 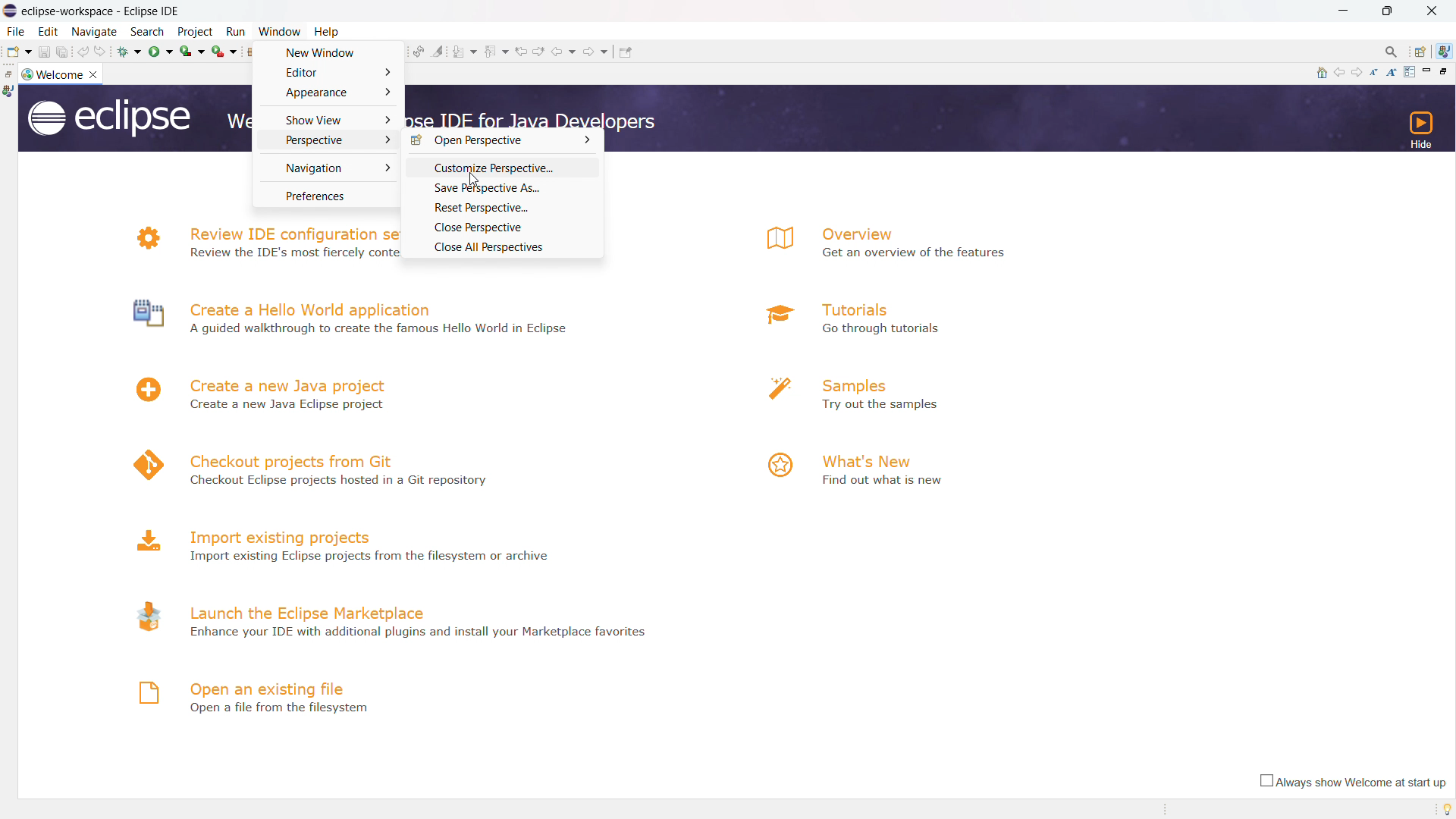 I want to click on previous edit location, so click(x=521, y=52).